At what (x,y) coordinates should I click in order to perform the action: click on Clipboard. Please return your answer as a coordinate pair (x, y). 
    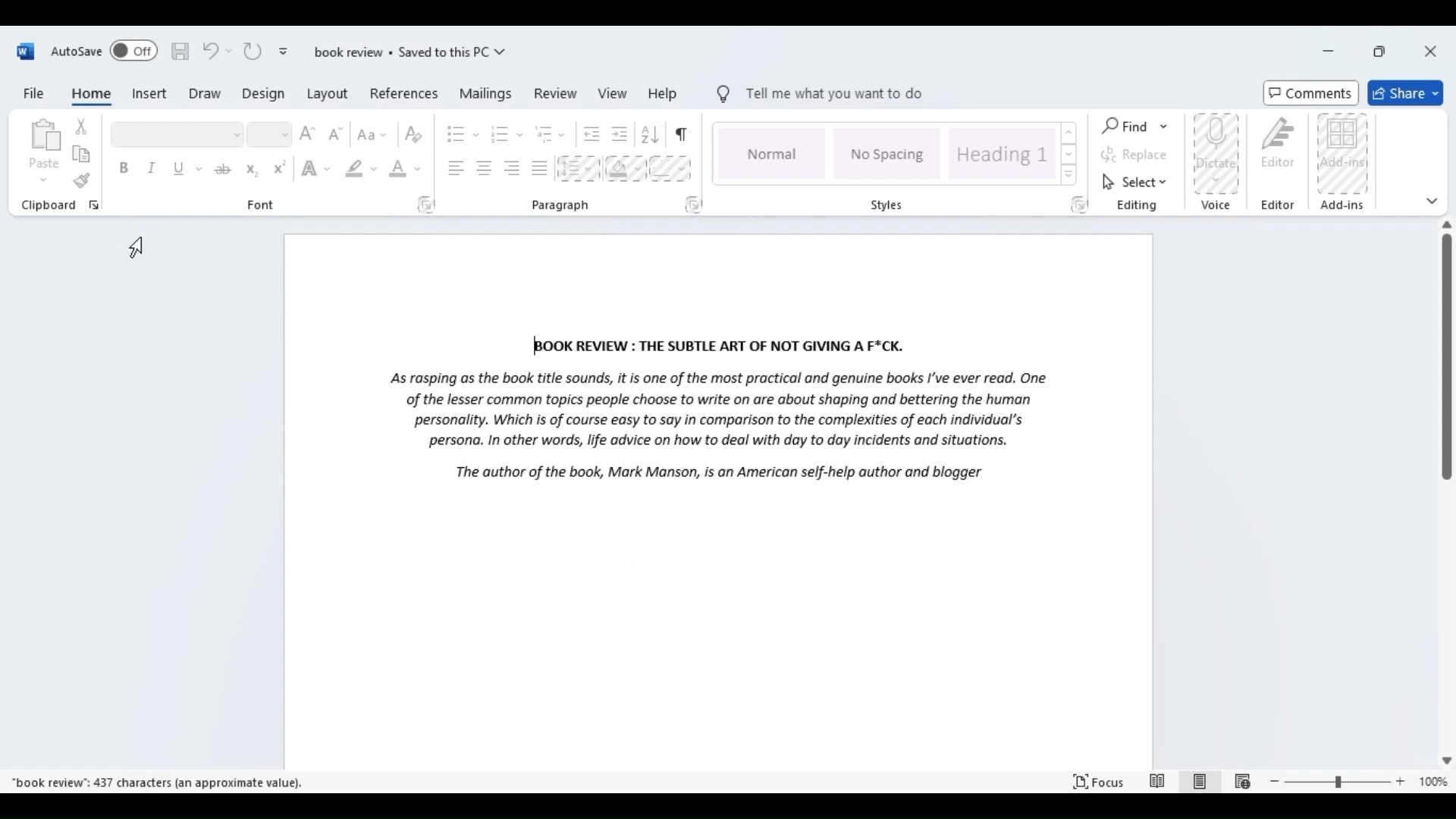
    Looking at the image, I should click on (55, 167).